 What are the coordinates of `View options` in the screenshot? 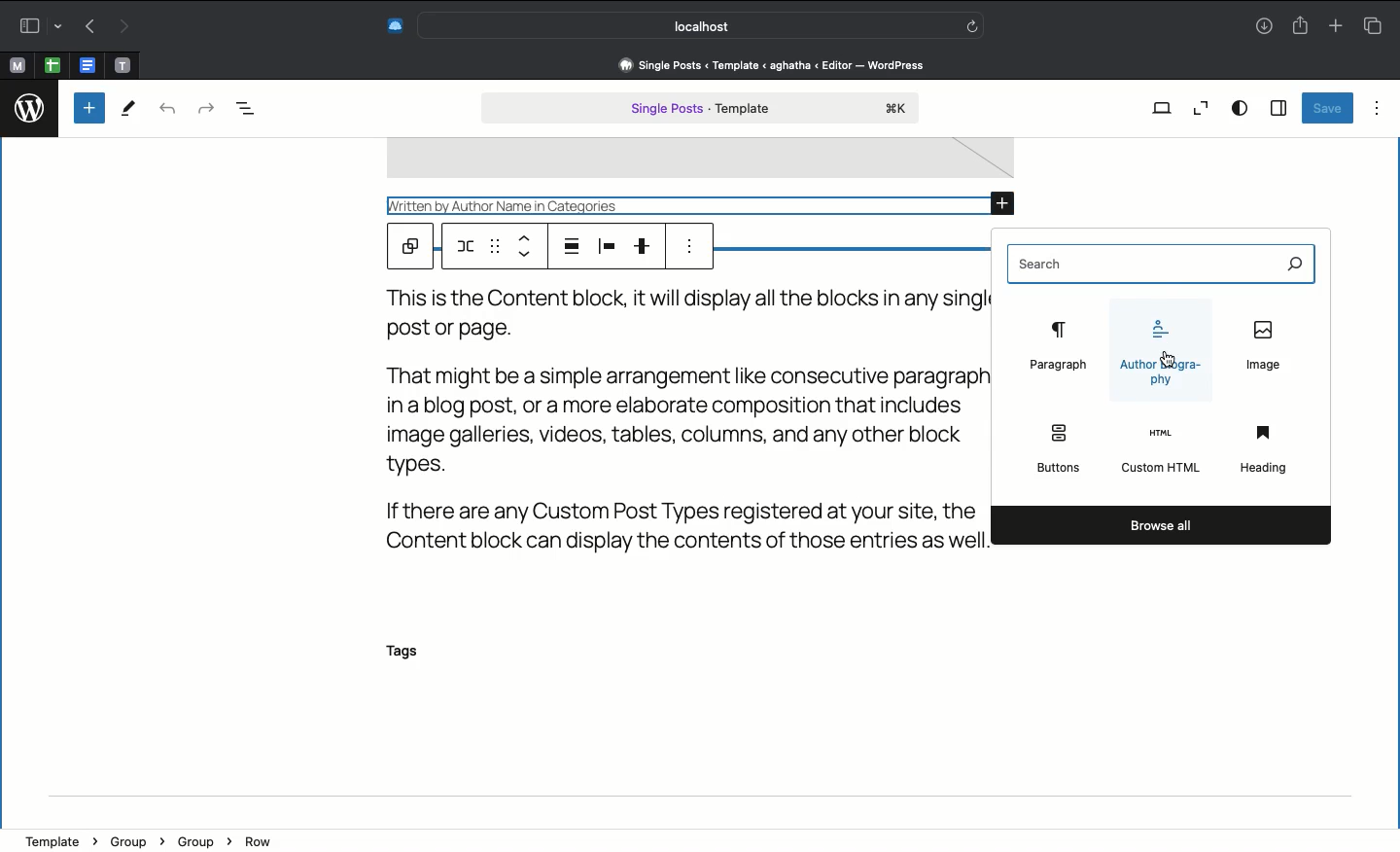 It's located at (1240, 107).